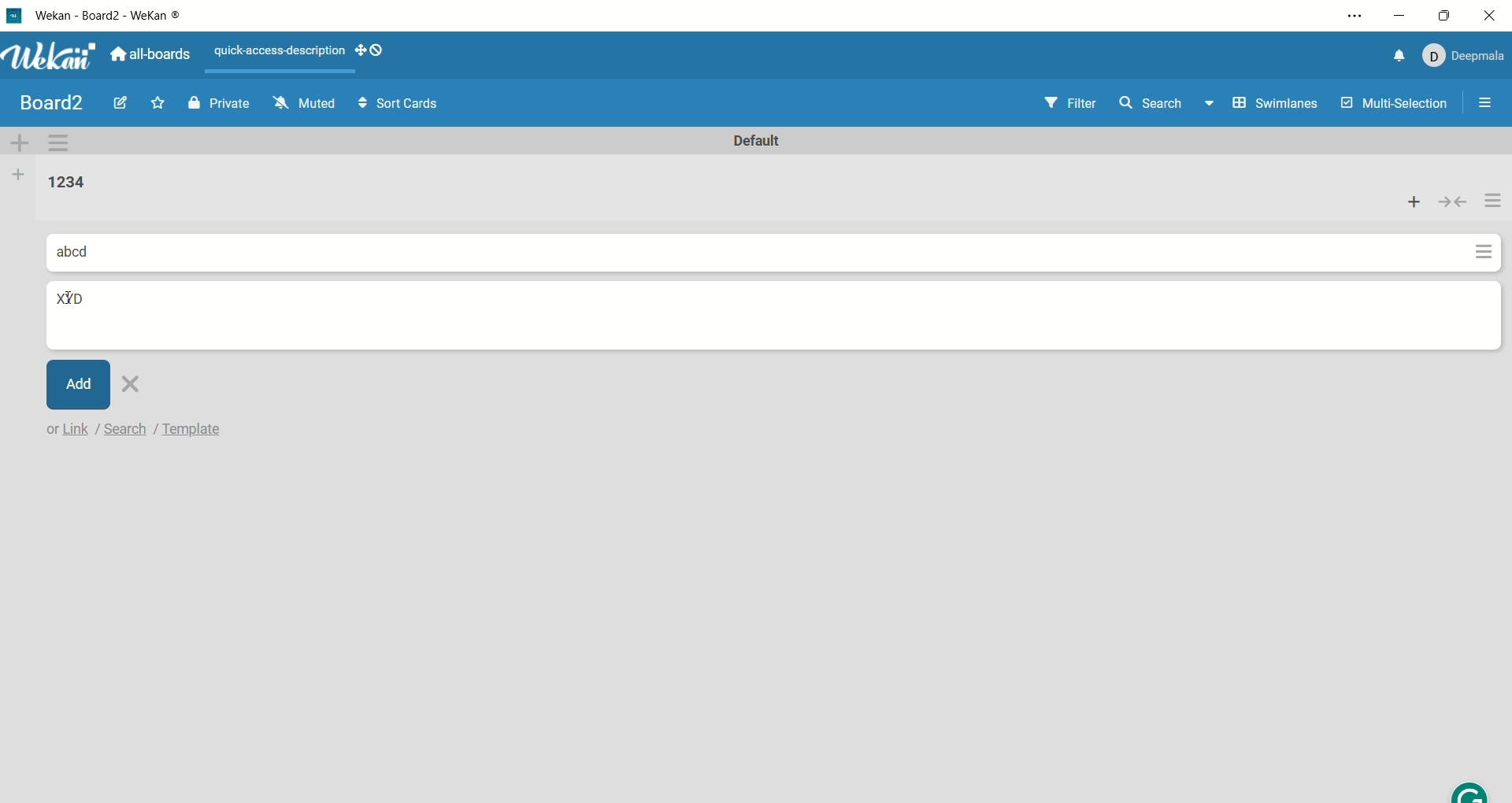 This screenshot has height=803, width=1512. I want to click on list title, so click(57, 181).